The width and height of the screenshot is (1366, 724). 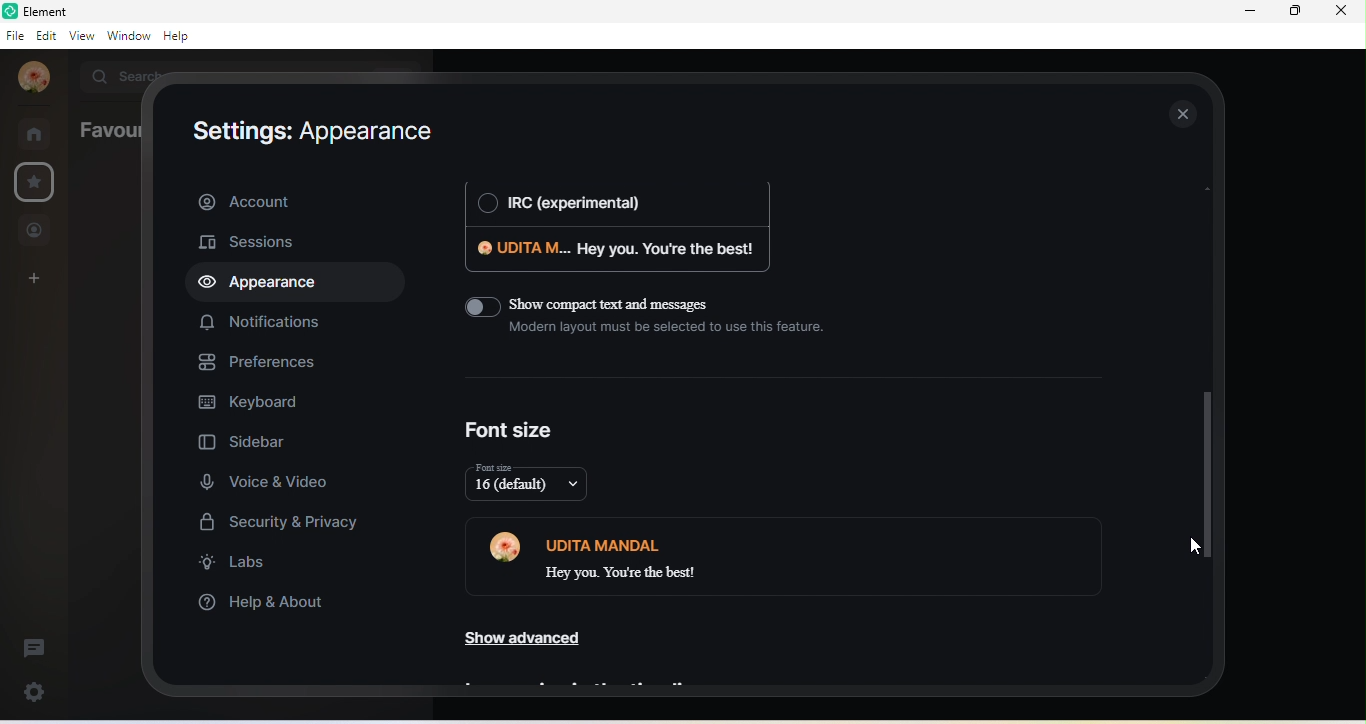 What do you see at coordinates (257, 361) in the screenshot?
I see `preferences` at bounding box center [257, 361].